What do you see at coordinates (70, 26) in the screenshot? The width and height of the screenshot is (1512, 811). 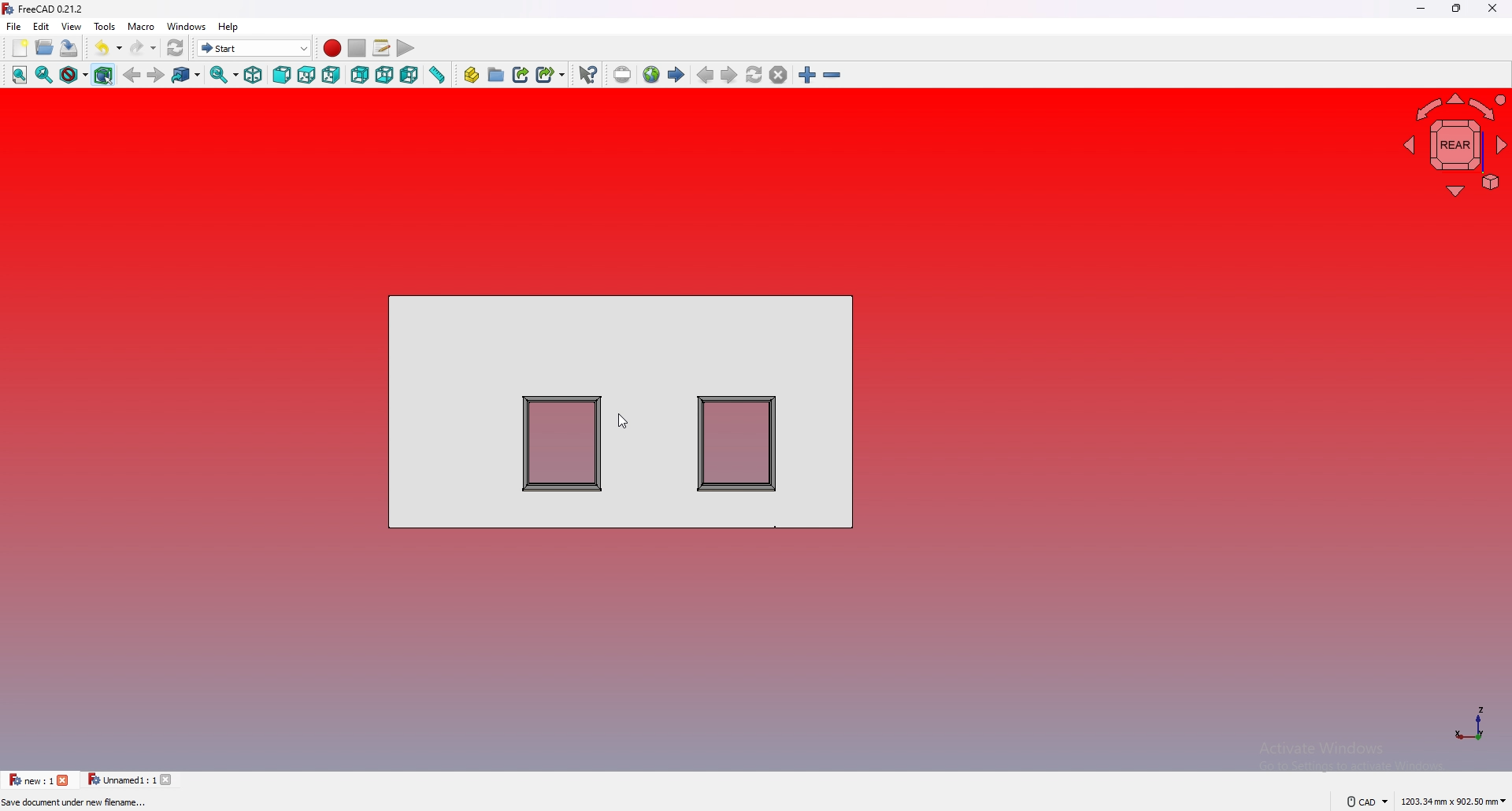 I see `view` at bounding box center [70, 26].